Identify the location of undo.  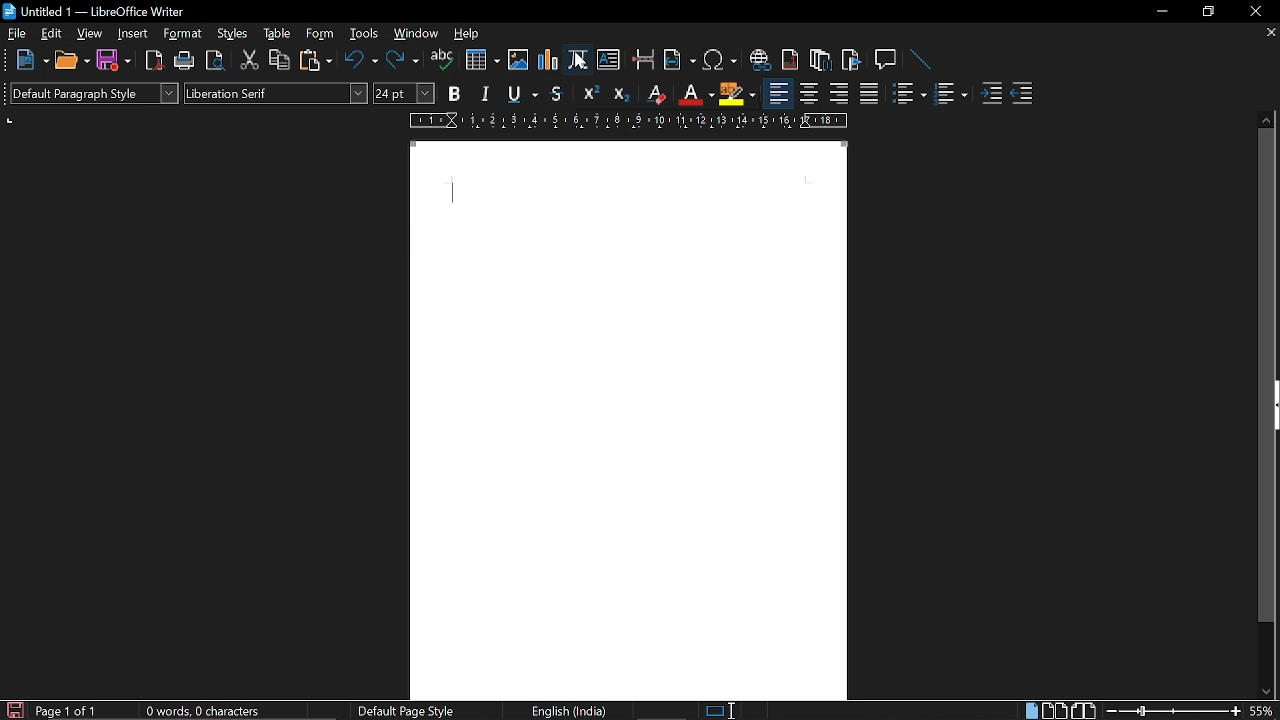
(361, 60).